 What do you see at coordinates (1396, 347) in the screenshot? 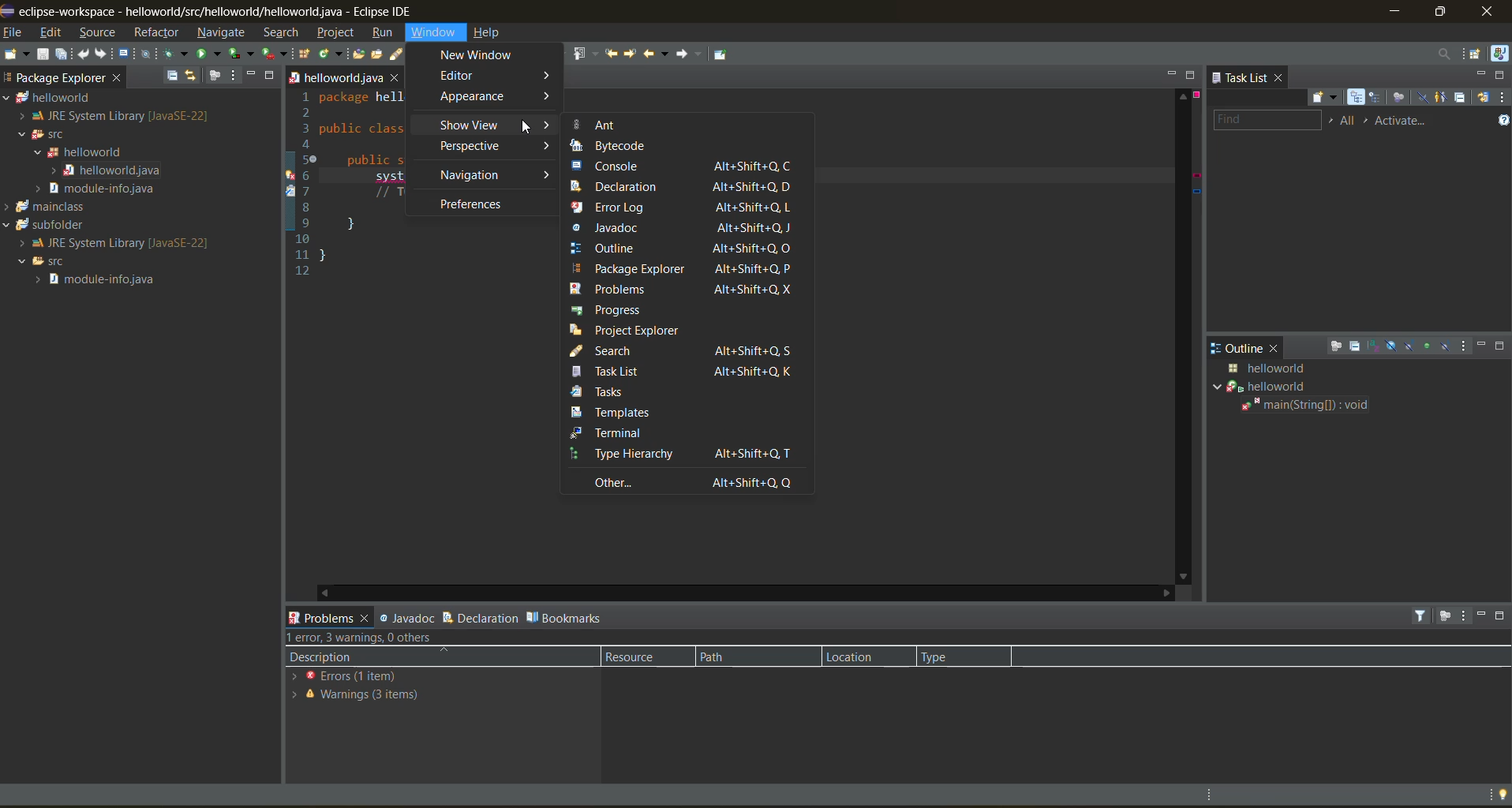
I see `hide fields` at bounding box center [1396, 347].